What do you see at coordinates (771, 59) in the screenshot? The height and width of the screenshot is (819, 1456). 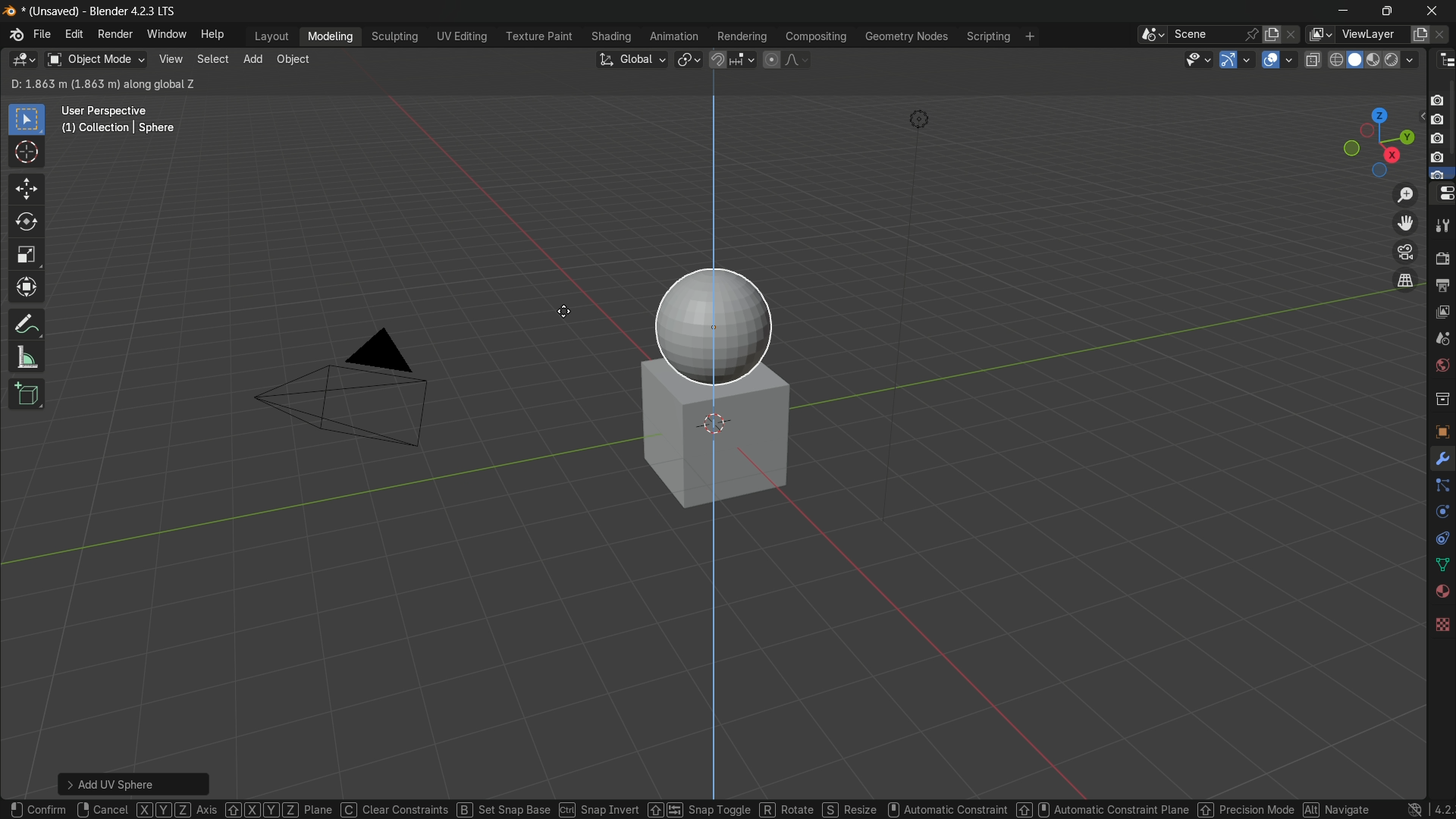 I see `proportional editing object` at bounding box center [771, 59].